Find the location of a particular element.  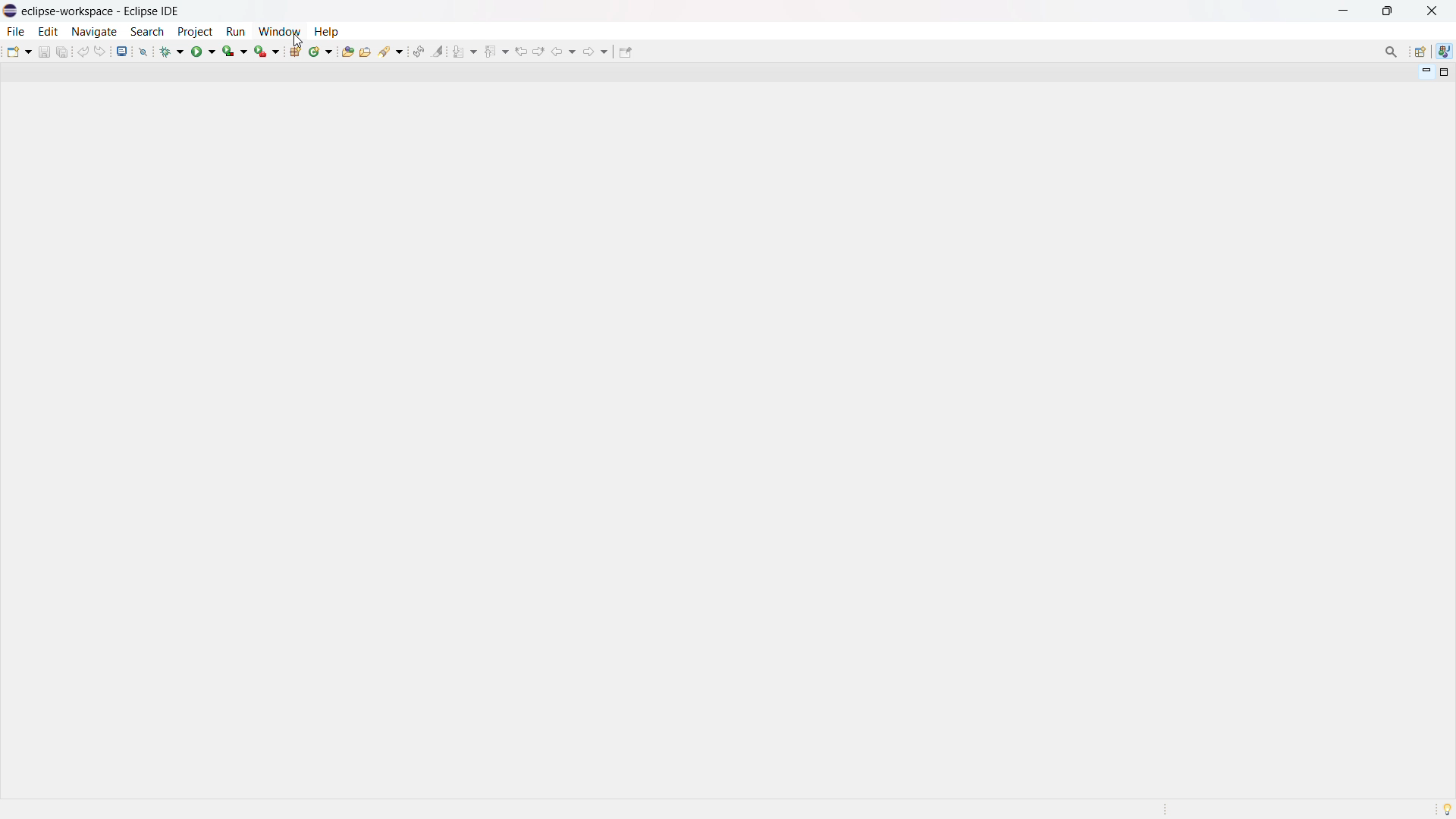

run is located at coordinates (203, 51).